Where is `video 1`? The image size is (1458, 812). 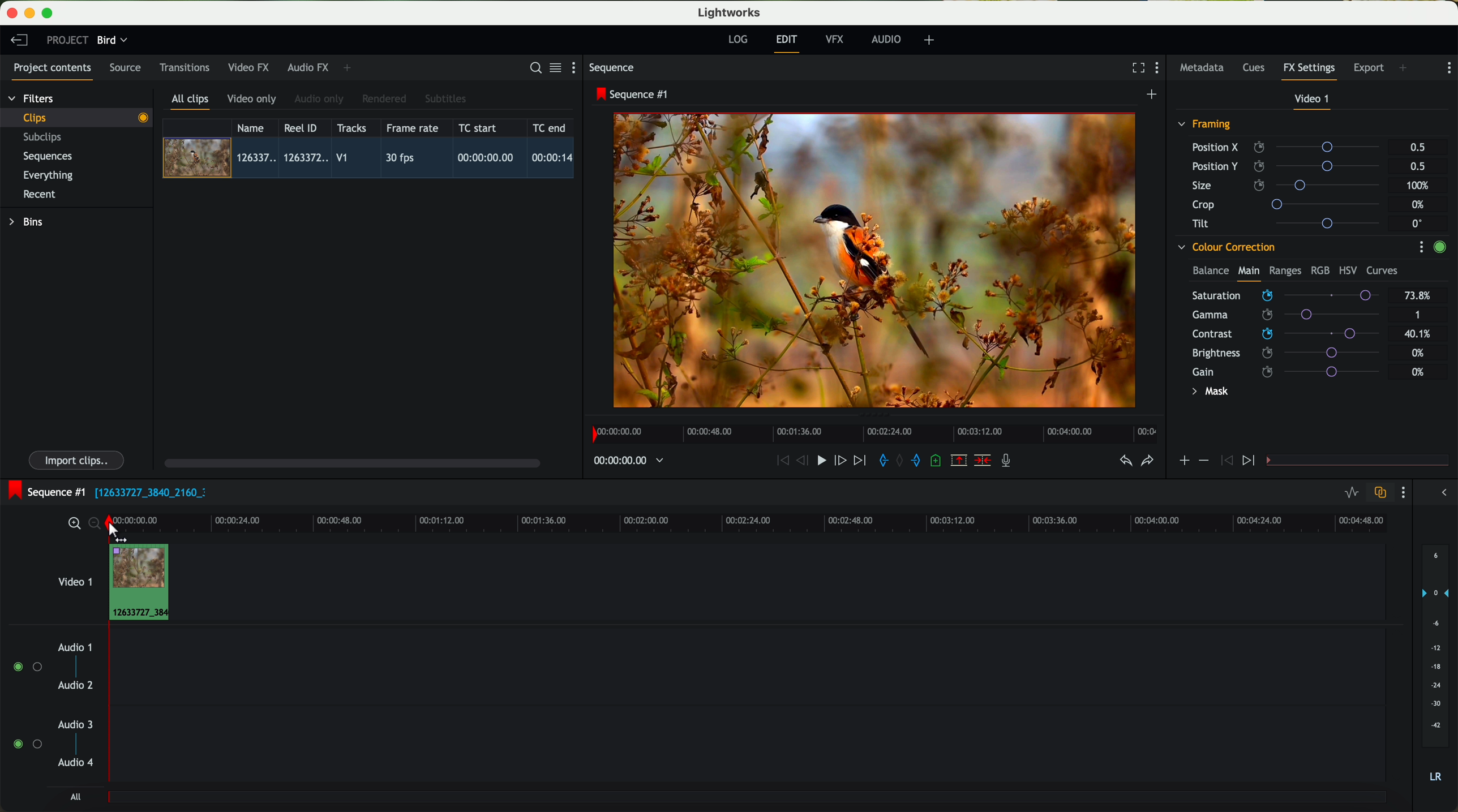 video 1 is located at coordinates (74, 579).